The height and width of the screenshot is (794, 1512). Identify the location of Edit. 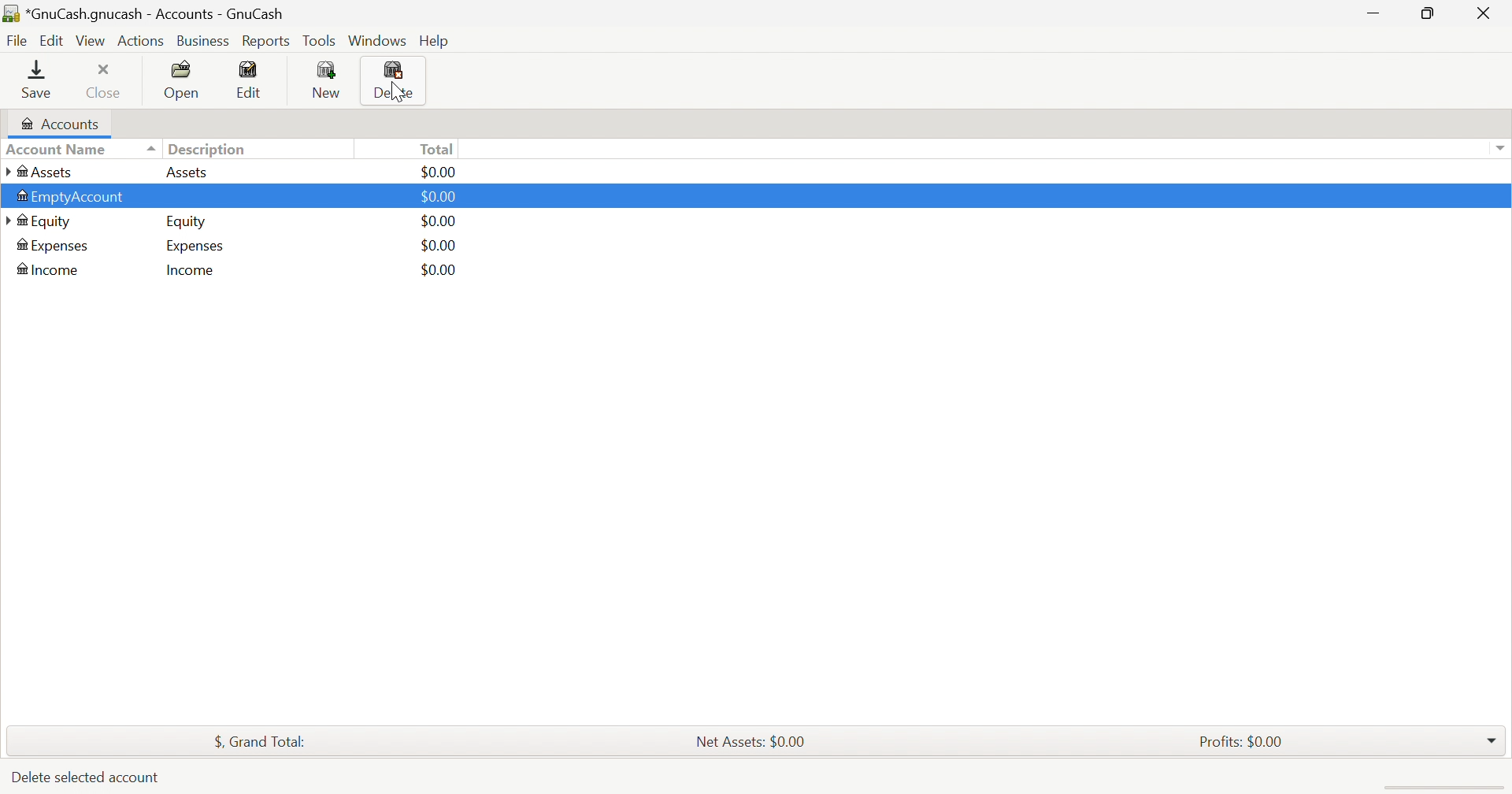
(54, 41).